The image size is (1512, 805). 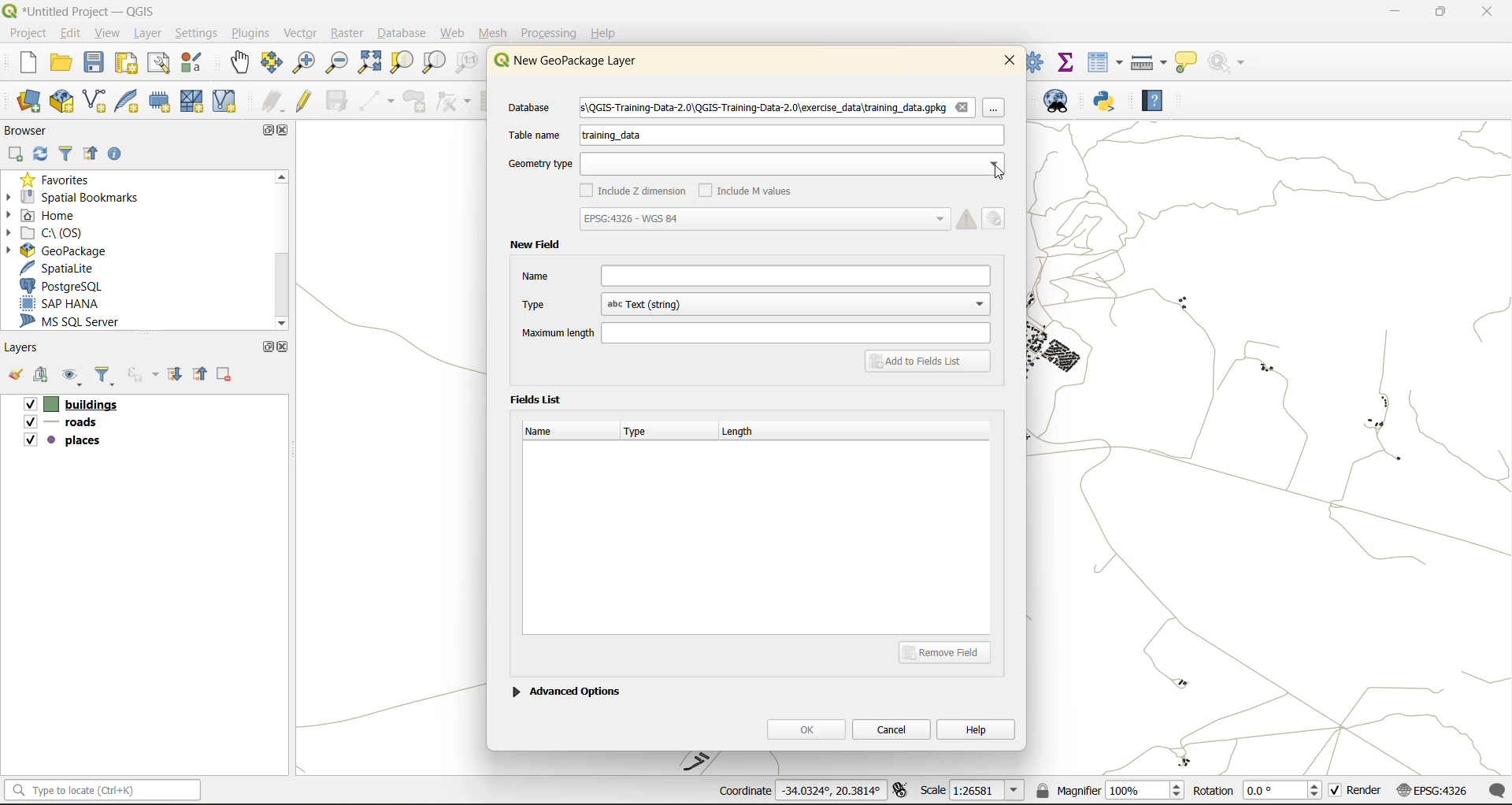 What do you see at coordinates (300, 33) in the screenshot?
I see `vector` at bounding box center [300, 33].